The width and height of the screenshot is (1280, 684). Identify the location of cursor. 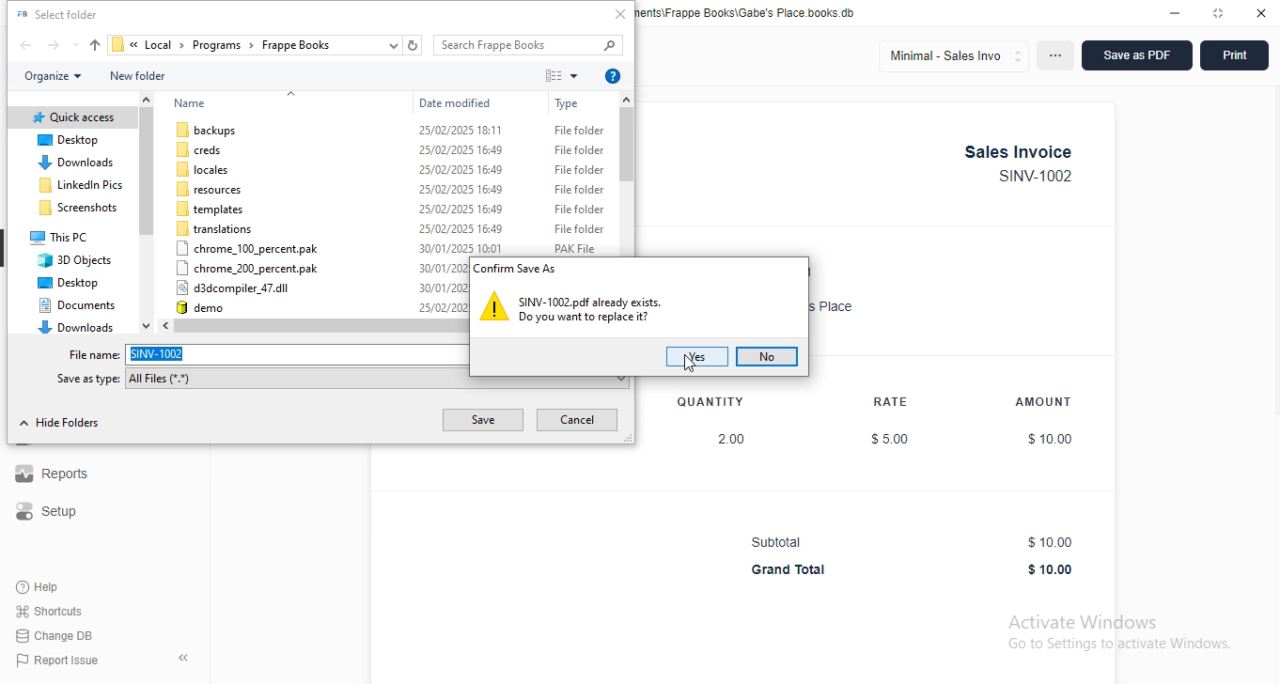
(690, 363).